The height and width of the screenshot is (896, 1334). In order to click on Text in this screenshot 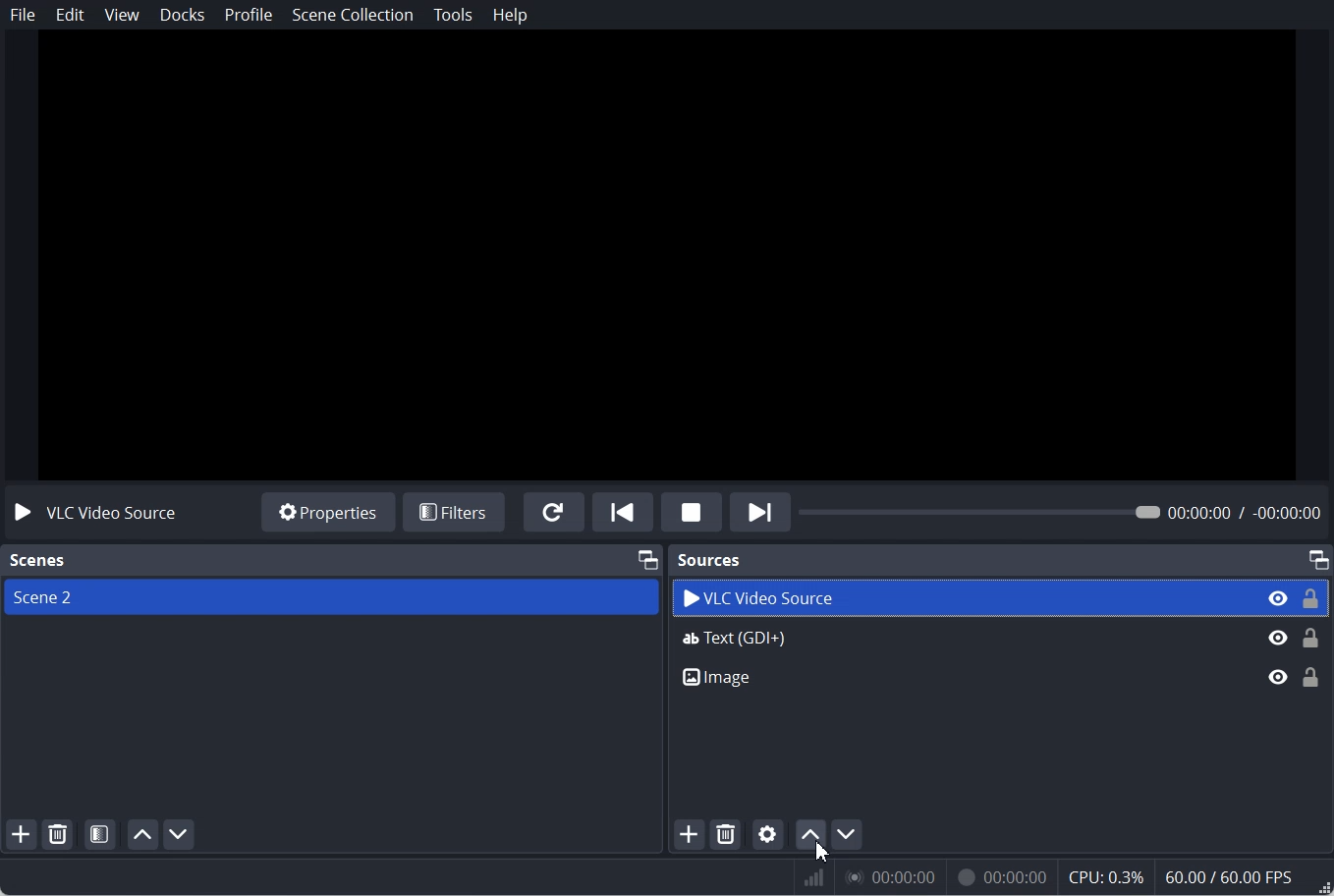, I will do `click(93, 514)`.